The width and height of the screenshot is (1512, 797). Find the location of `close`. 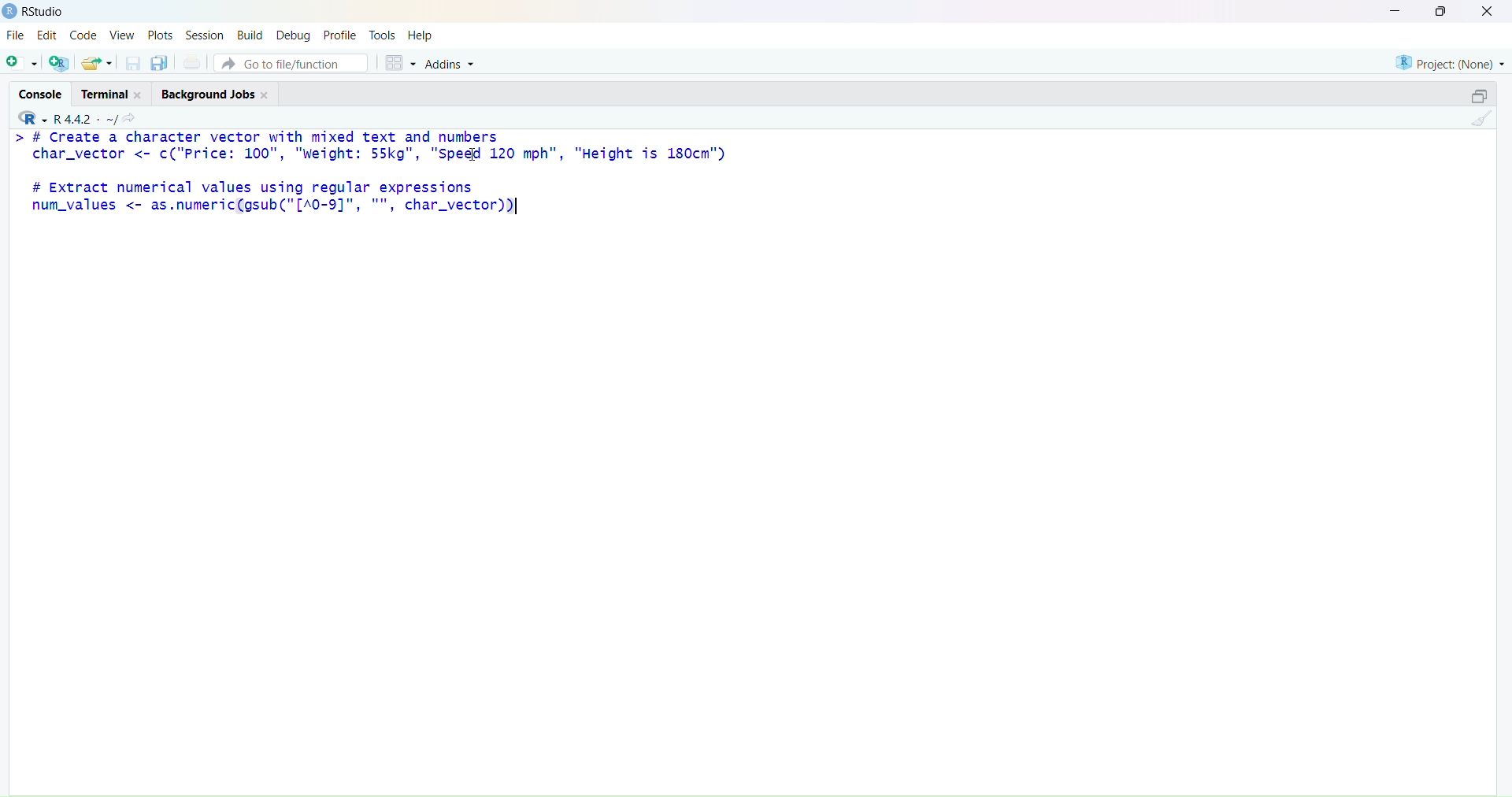

close is located at coordinates (139, 95).